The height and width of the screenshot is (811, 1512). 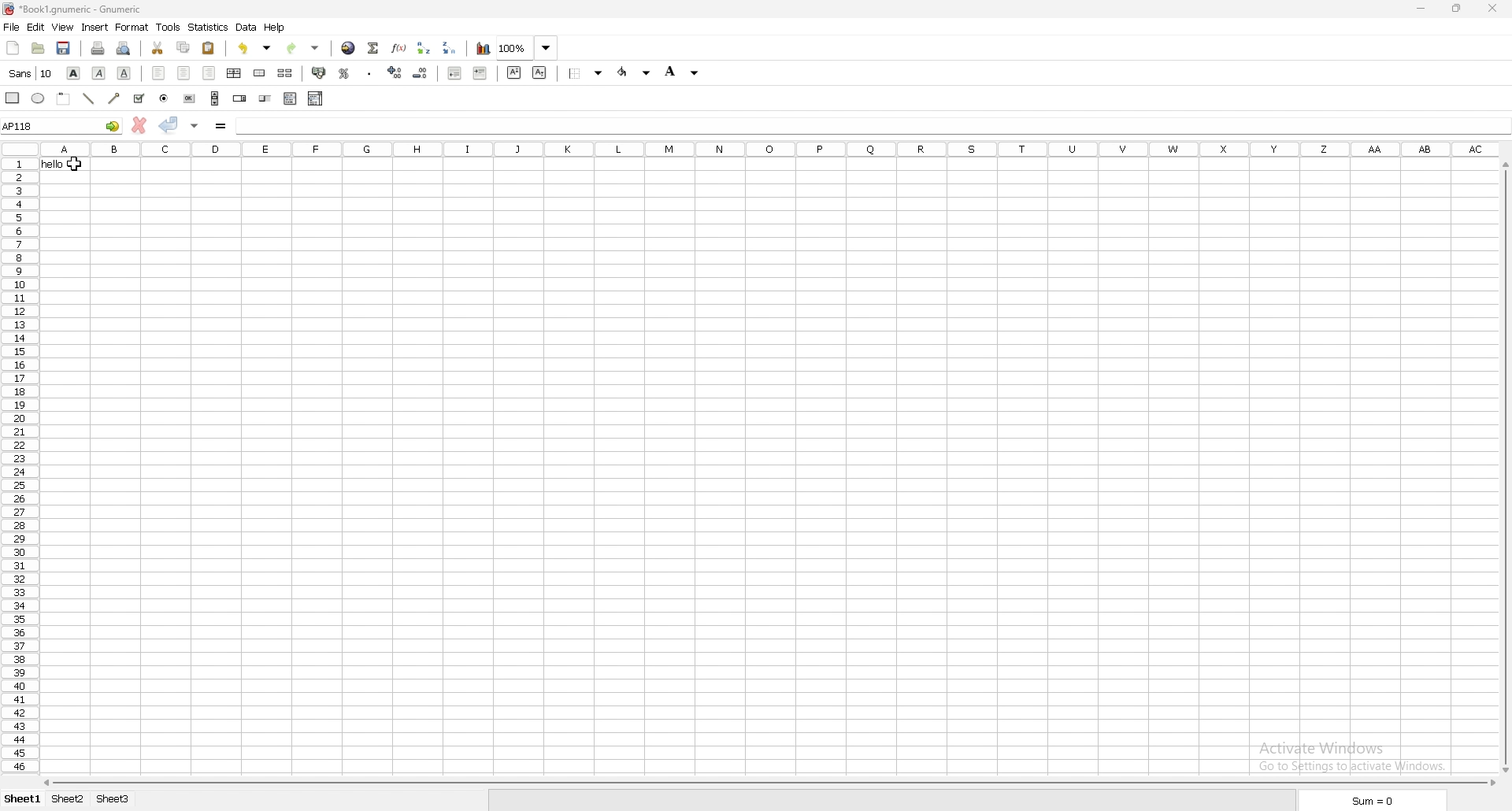 What do you see at coordinates (421, 72) in the screenshot?
I see `decrease decimals` at bounding box center [421, 72].